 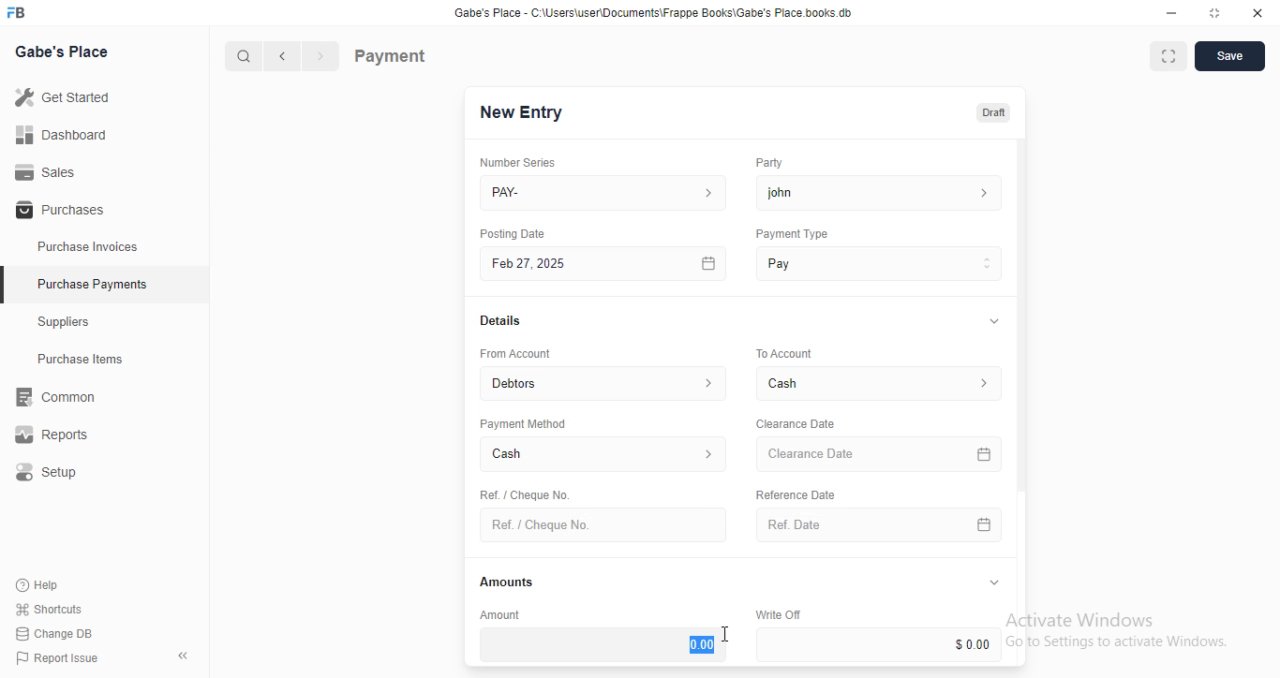 What do you see at coordinates (522, 423) in the screenshot?
I see `‘Payment Method` at bounding box center [522, 423].